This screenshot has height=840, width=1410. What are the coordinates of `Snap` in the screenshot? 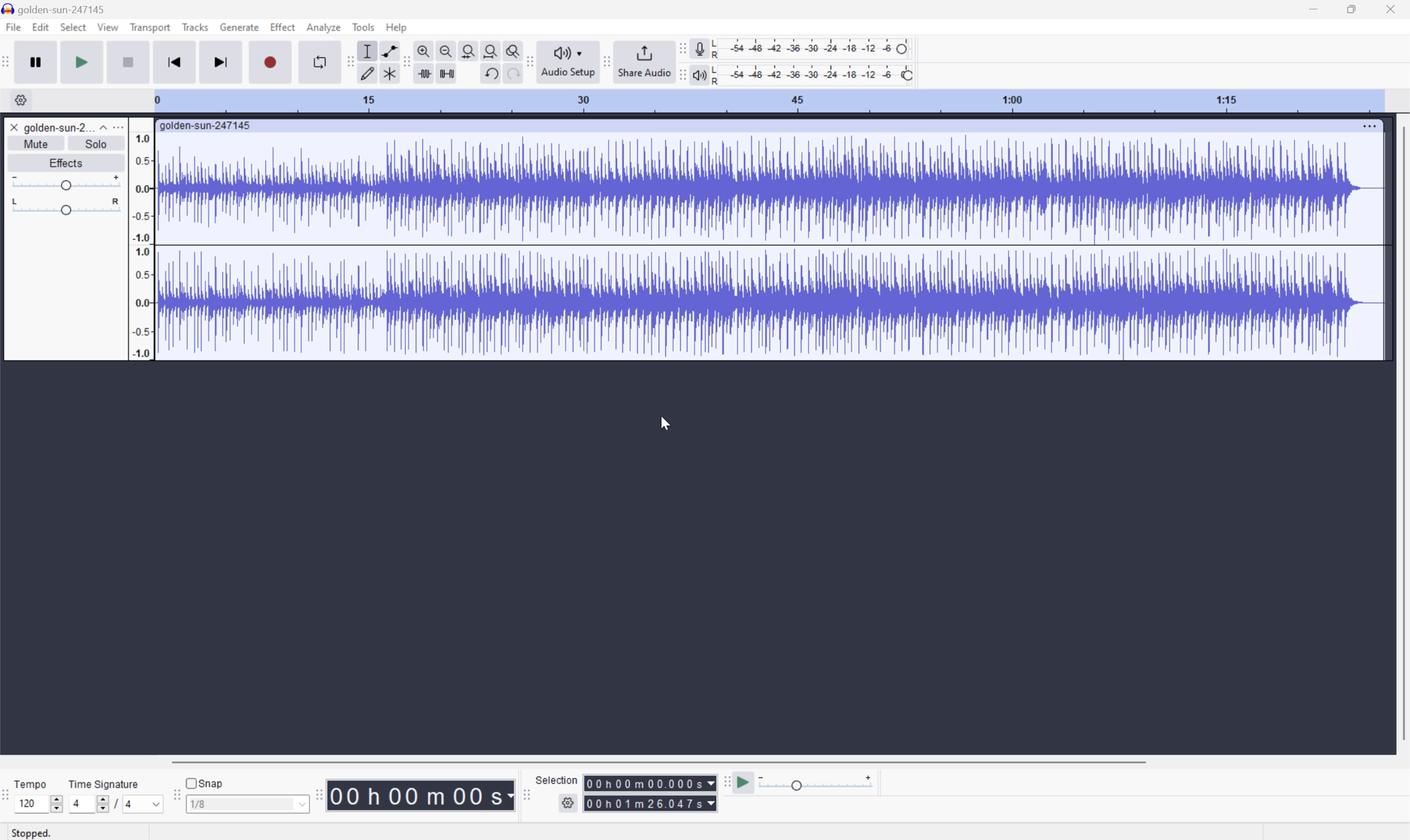 It's located at (206, 782).